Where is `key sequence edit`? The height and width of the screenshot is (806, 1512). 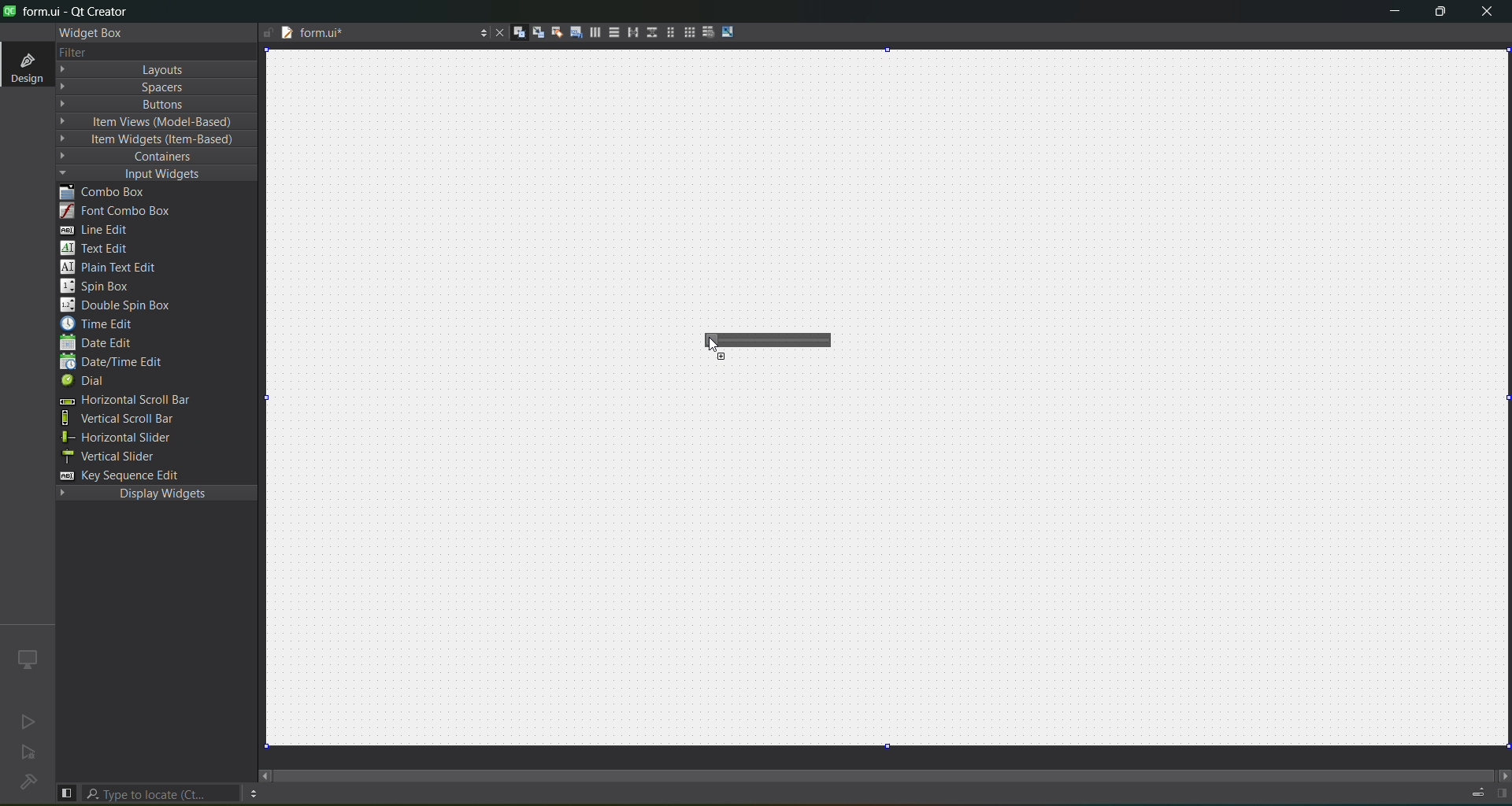 key sequence edit is located at coordinates (120, 474).